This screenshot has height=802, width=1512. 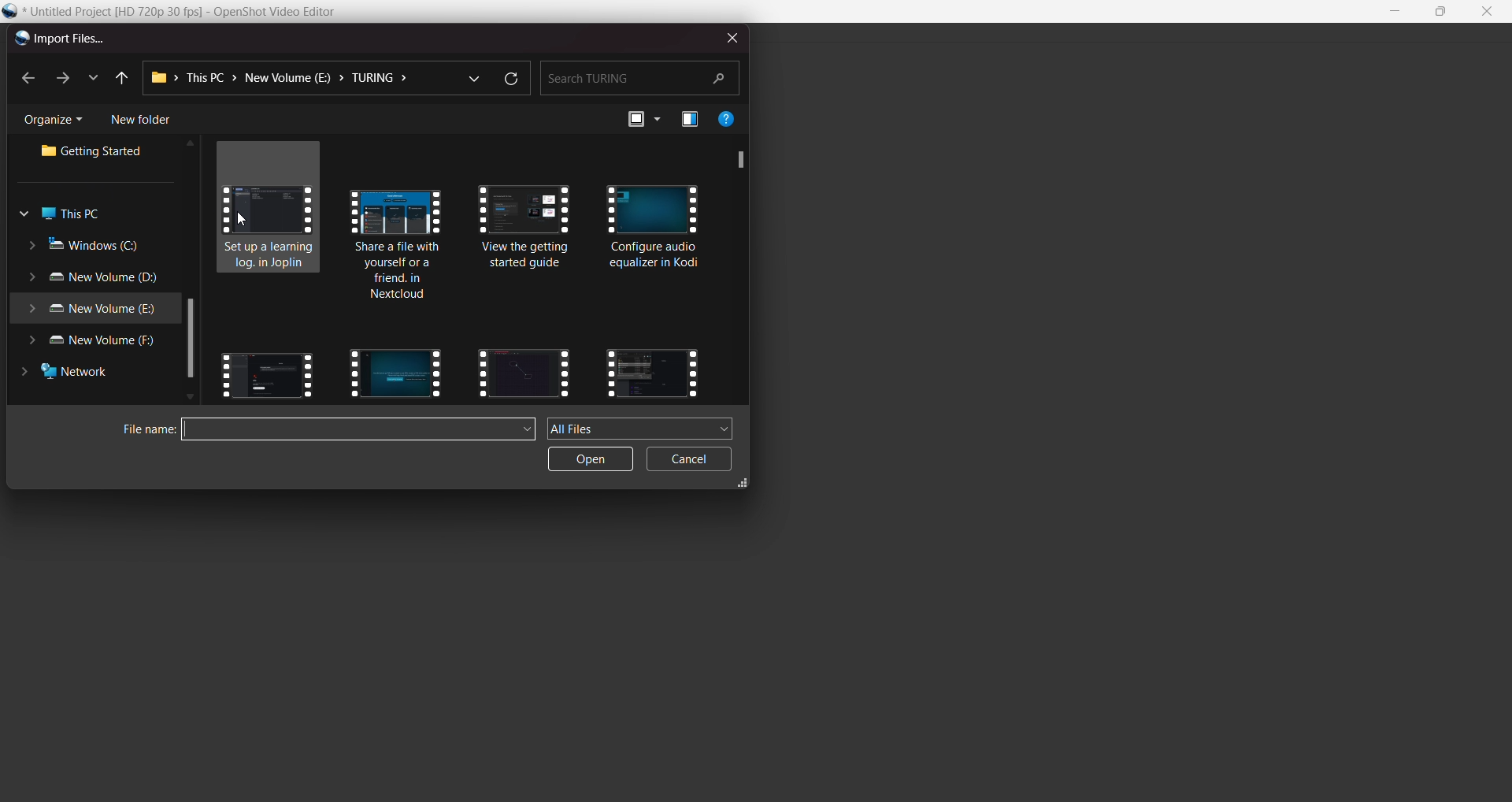 What do you see at coordinates (360, 431) in the screenshot?
I see `enter file name` at bounding box center [360, 431].